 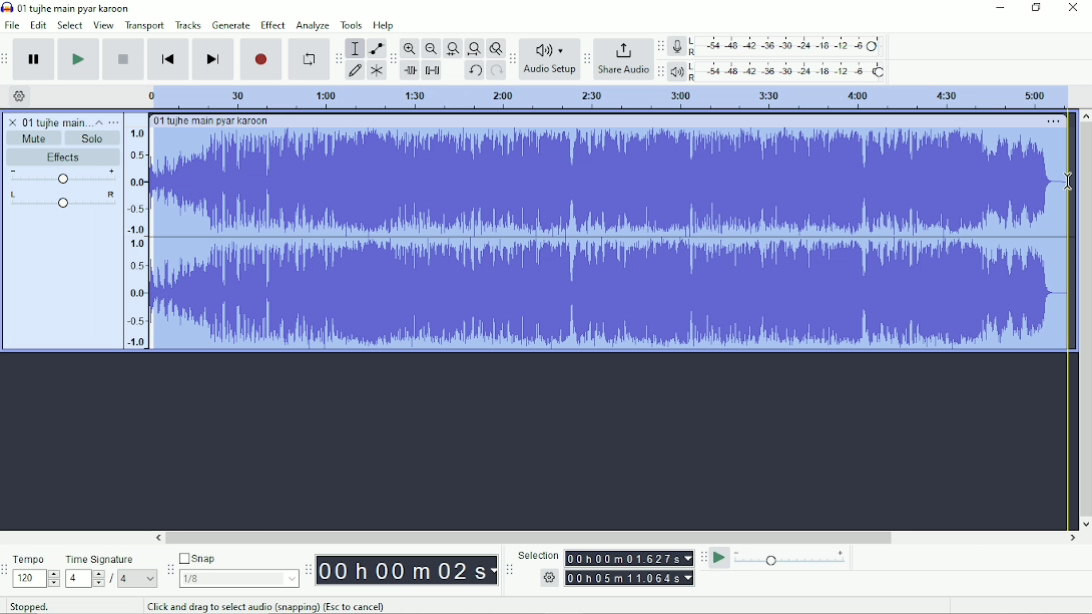 I want to click on Fit project to width, so click(x=473, y=49).